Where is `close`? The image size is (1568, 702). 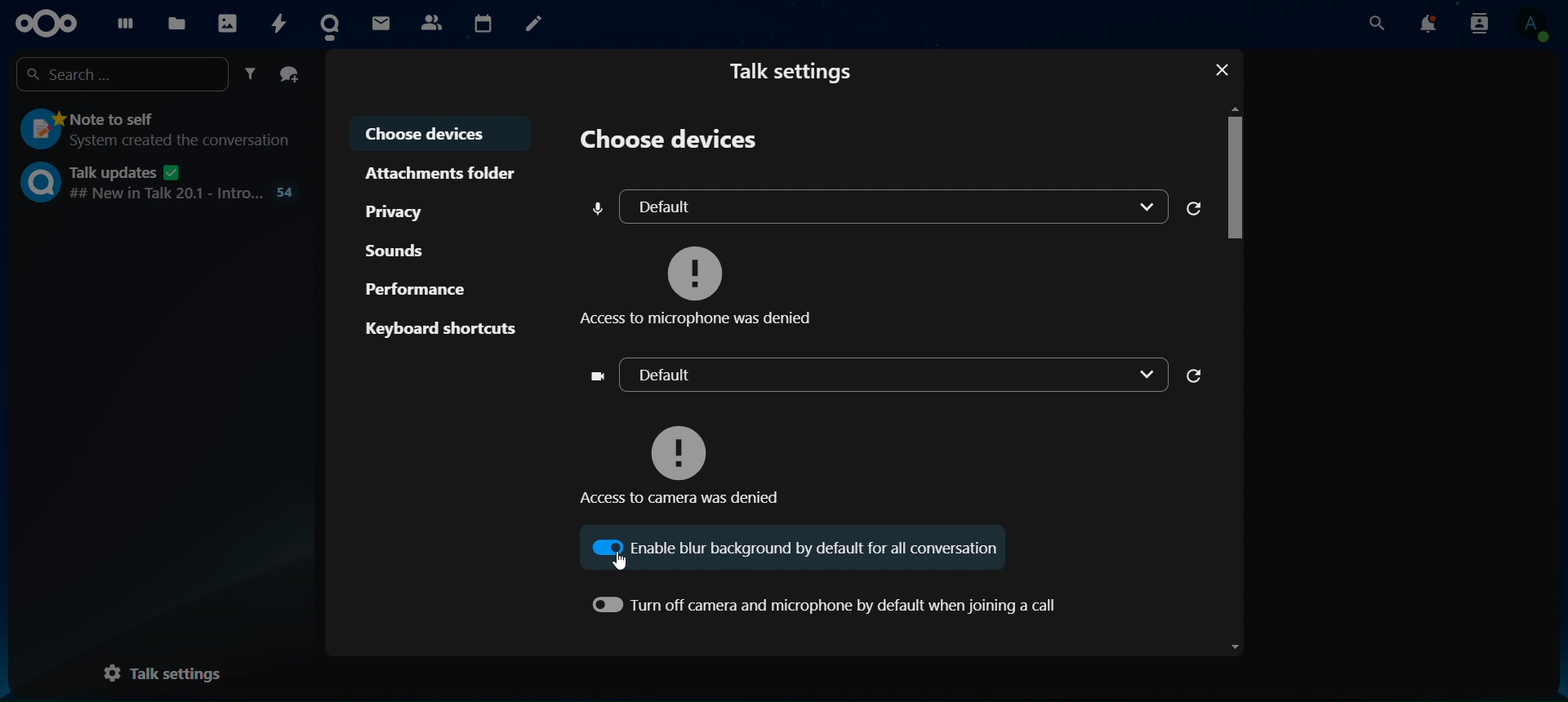 close is located at coordinates (1223, 69).